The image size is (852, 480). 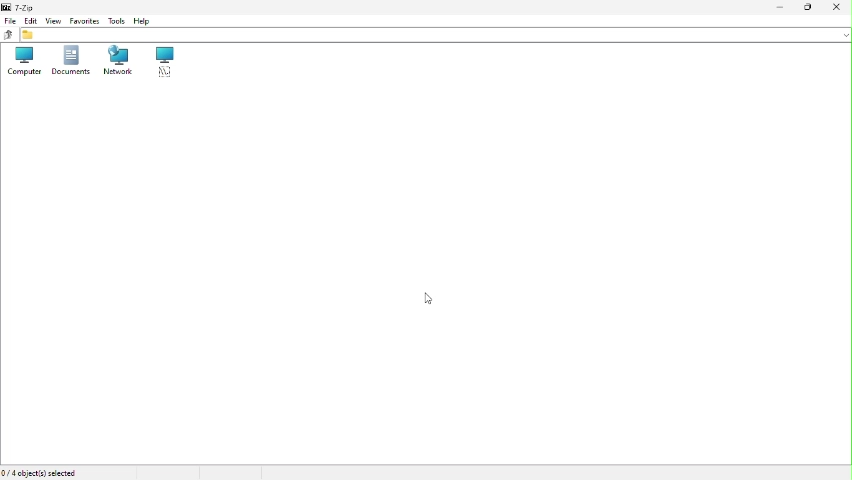 I want to click on view, so click(x=53, y=20).